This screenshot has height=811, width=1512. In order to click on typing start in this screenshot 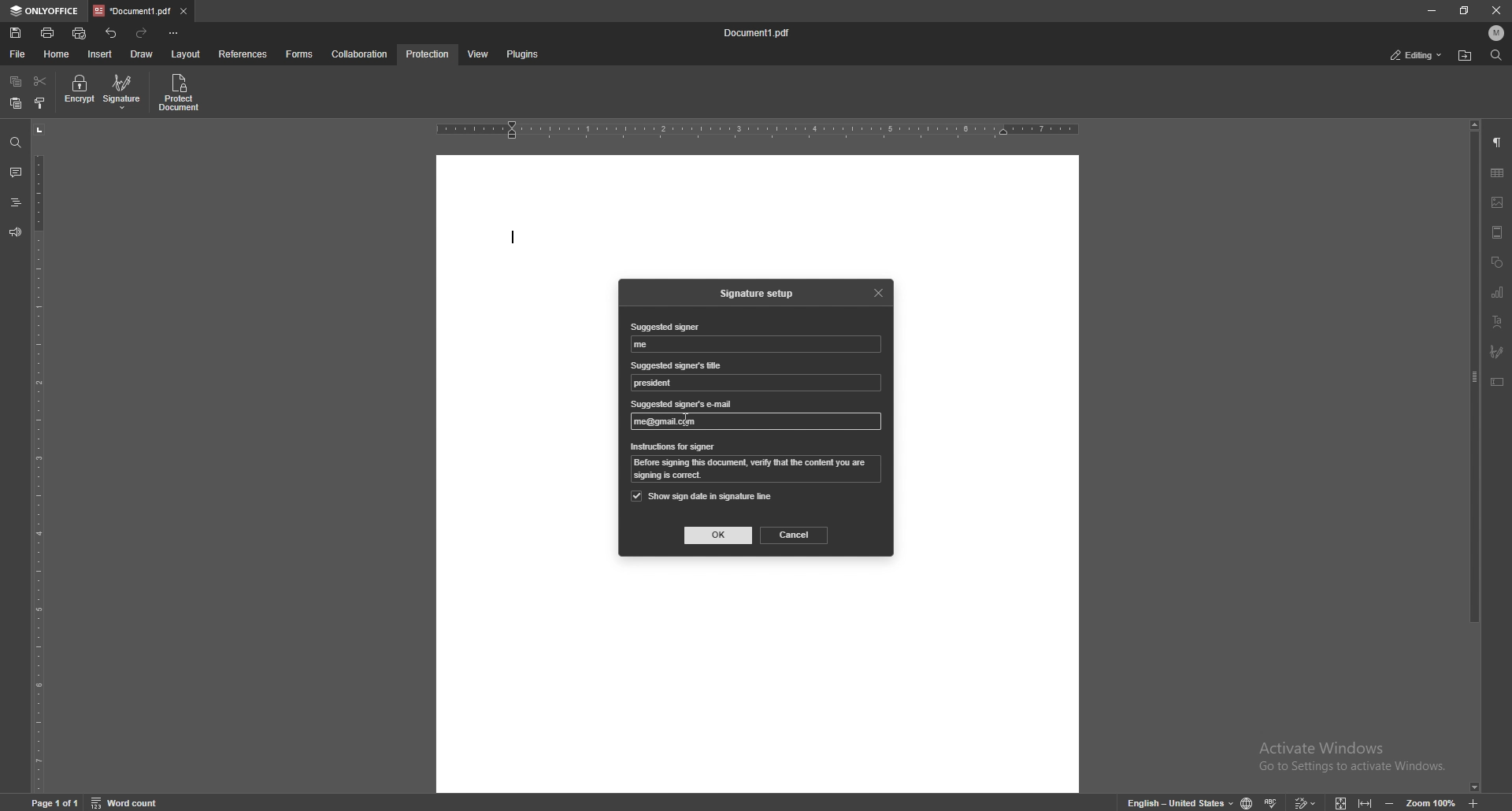, I will do `click(513, 241)`.